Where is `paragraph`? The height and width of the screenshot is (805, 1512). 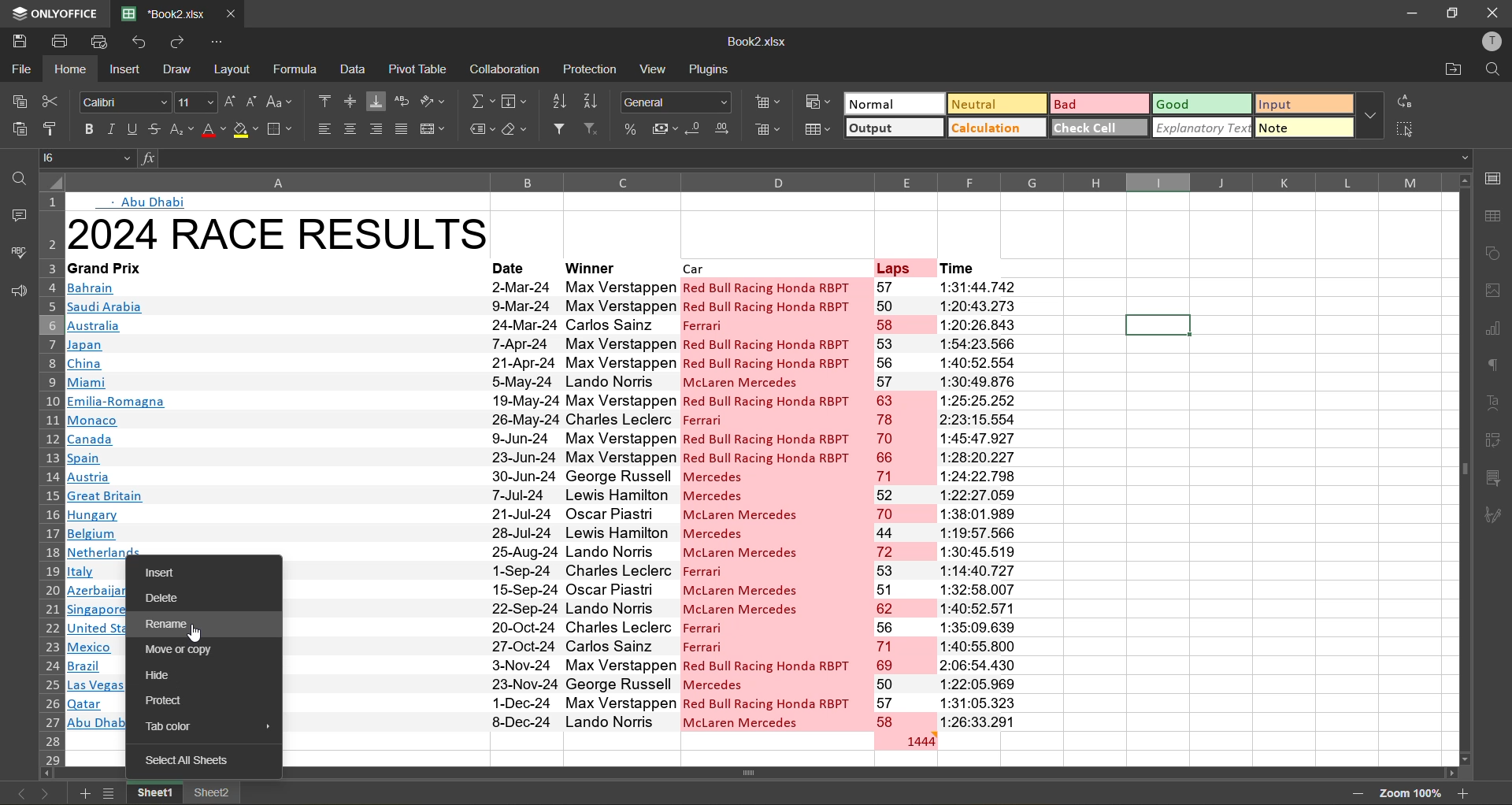
paragraph is located at coordinates (1495, 368).